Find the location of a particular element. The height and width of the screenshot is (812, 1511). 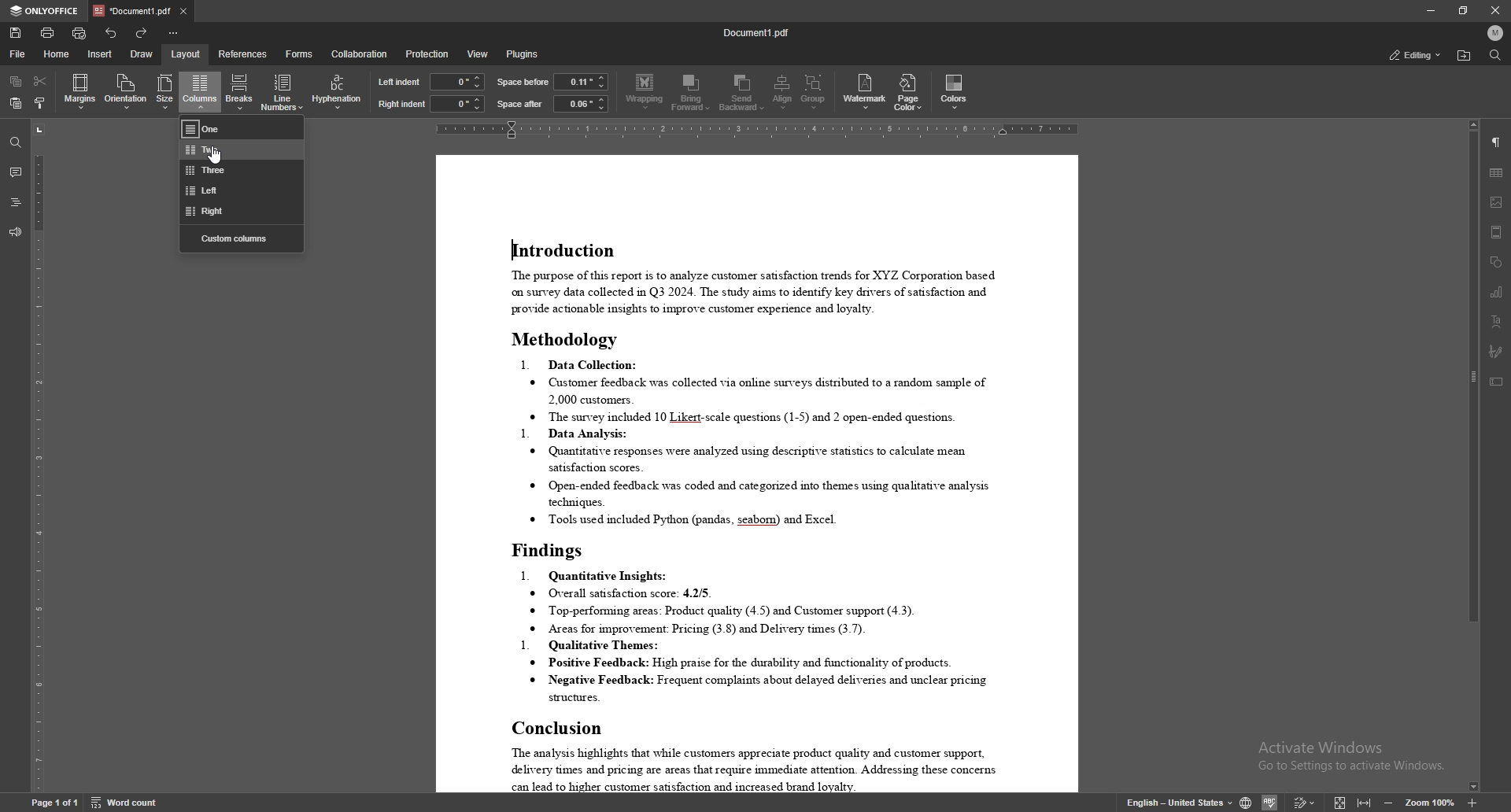

status is located at coordinates (1414, 55).